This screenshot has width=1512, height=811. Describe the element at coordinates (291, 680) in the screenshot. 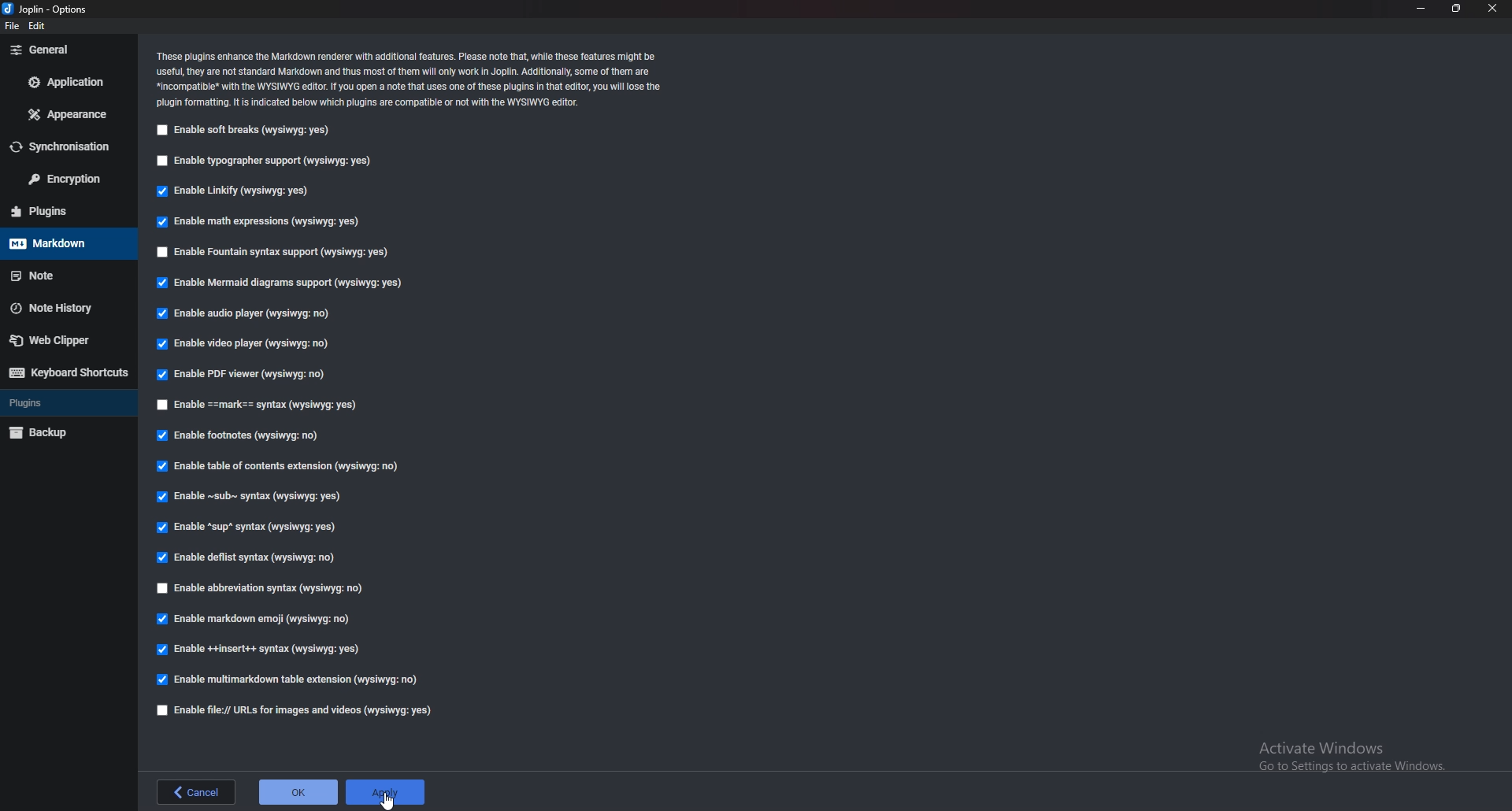

I see `enable multimark down table extension` at that location.